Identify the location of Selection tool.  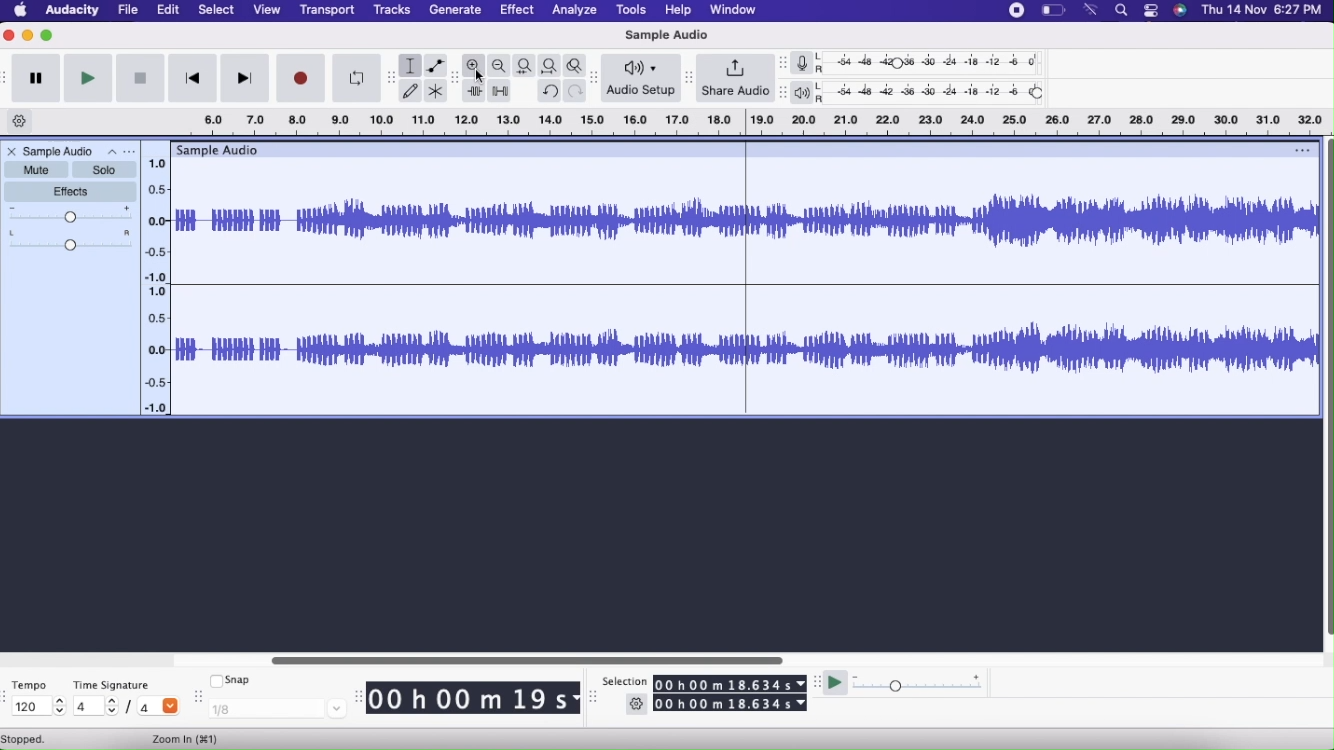
(411, 65).